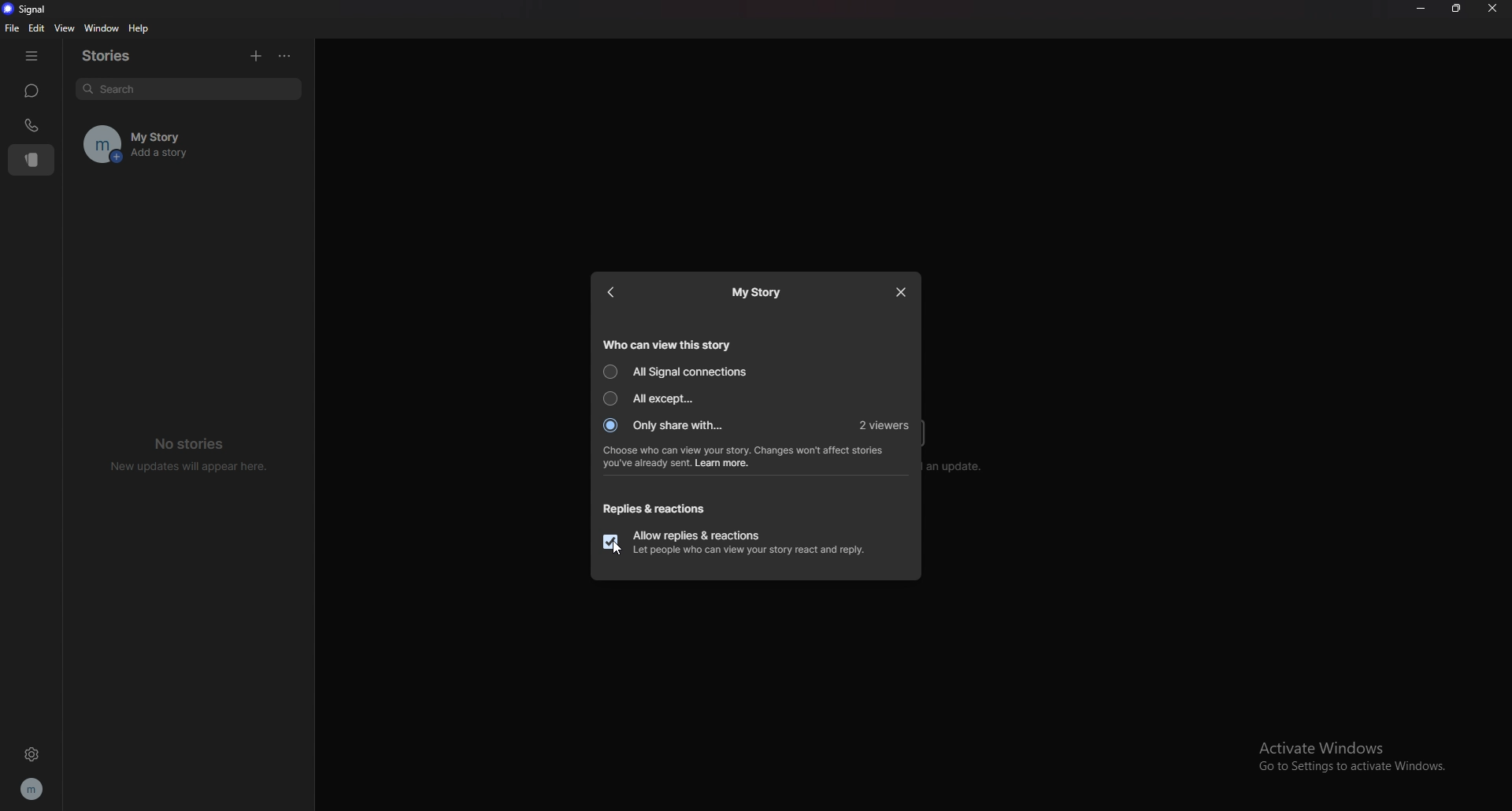 The width and height of the screenshot is (1512, 811). I want to click on back, so click(618, 291).